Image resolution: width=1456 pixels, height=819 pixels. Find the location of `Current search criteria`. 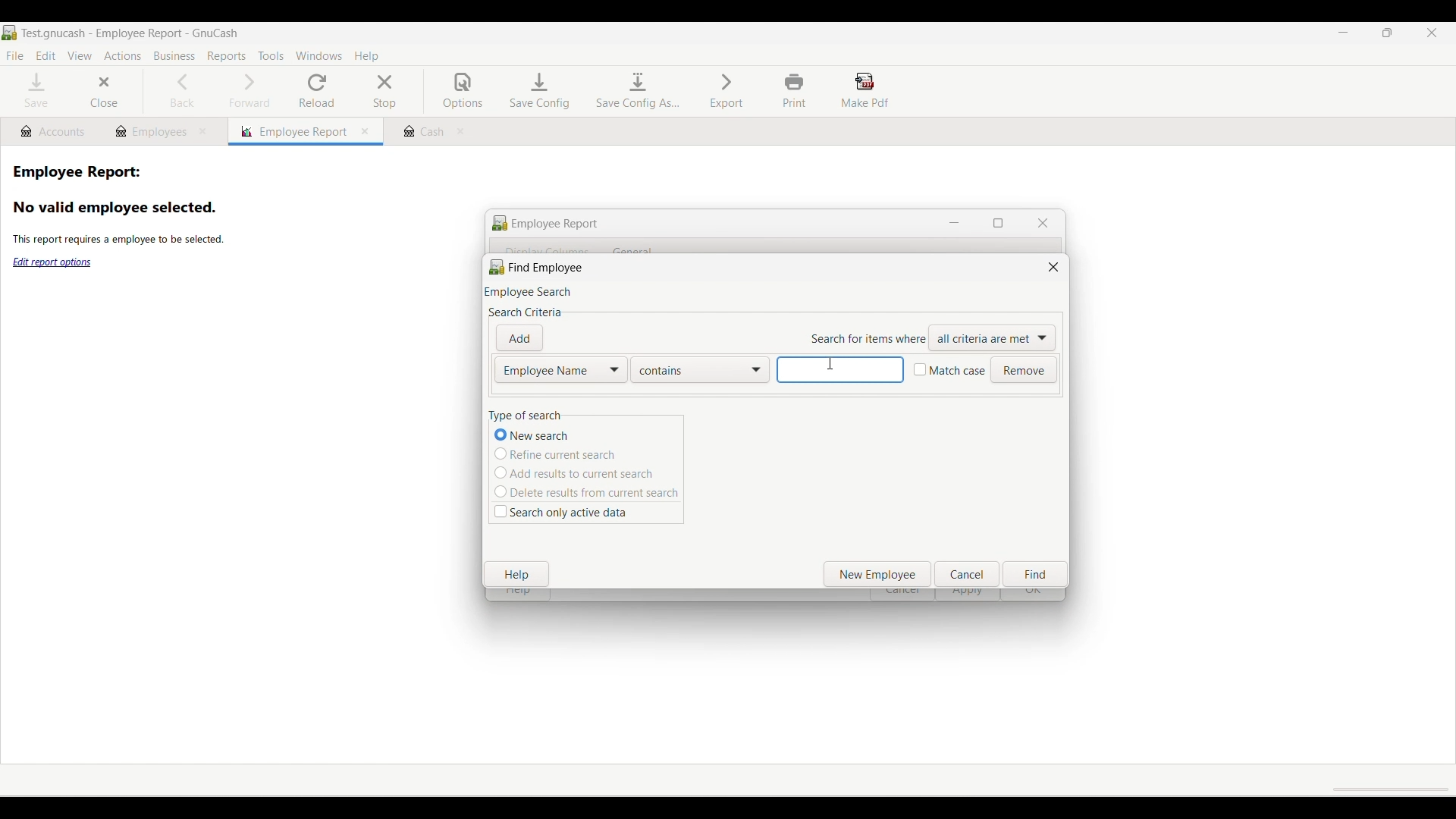

Current search criteria is located at coordinates (560, 370).